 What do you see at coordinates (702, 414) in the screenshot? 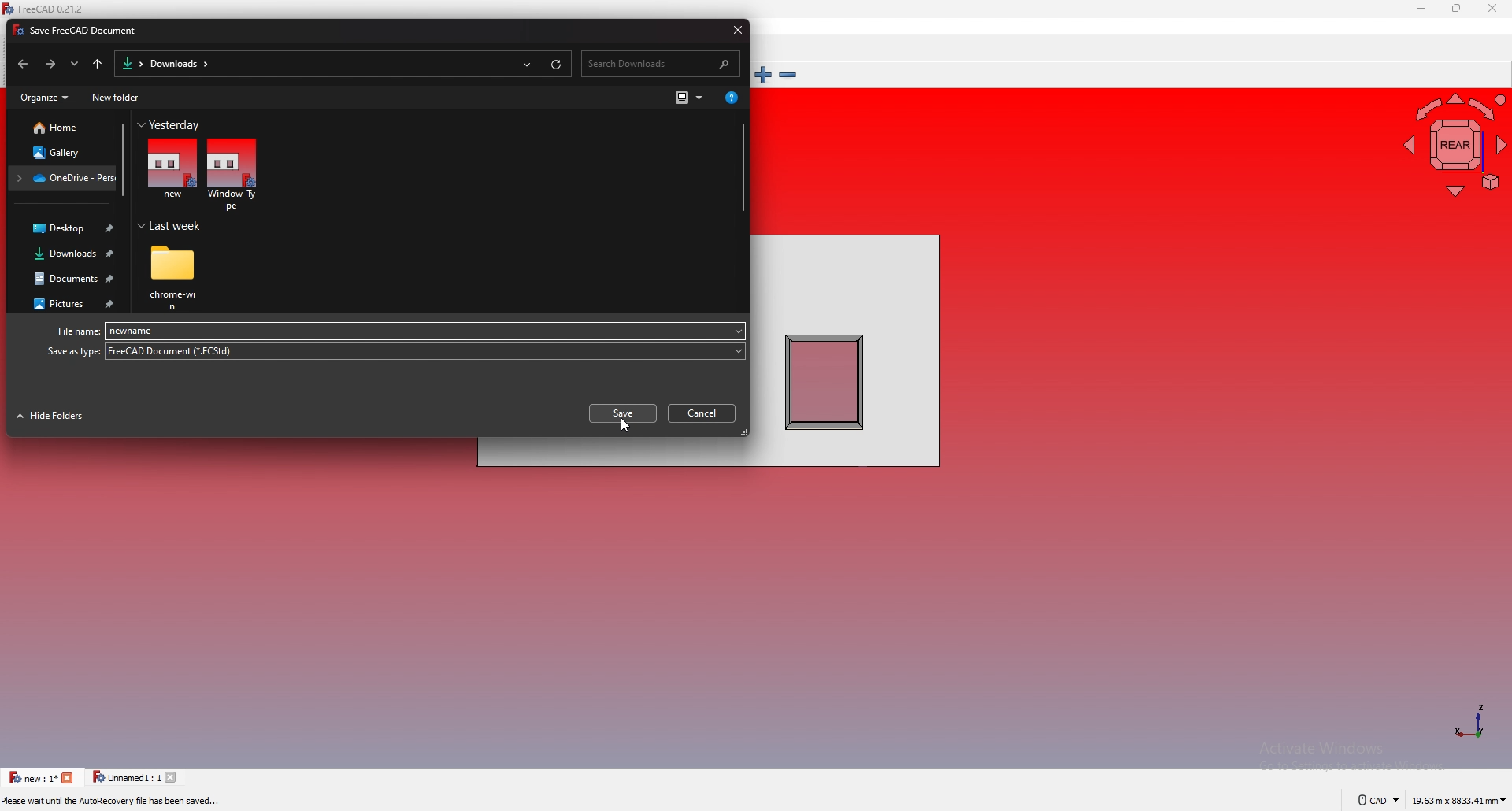
I see `cancel` at bounding box center [702, 414].